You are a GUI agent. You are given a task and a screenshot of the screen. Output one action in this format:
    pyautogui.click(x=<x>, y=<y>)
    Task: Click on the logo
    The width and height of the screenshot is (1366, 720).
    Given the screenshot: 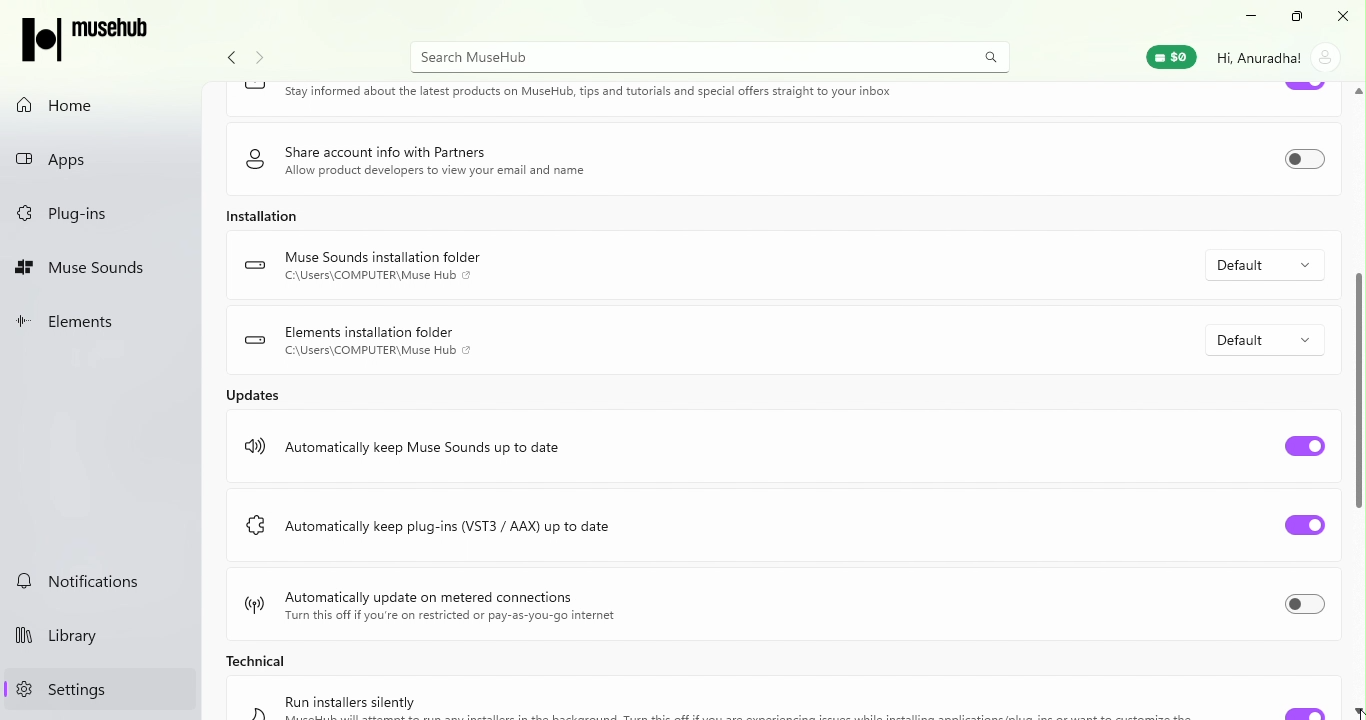 What is the action you would take?
    pyautogui.click(x=256, y=524)
    